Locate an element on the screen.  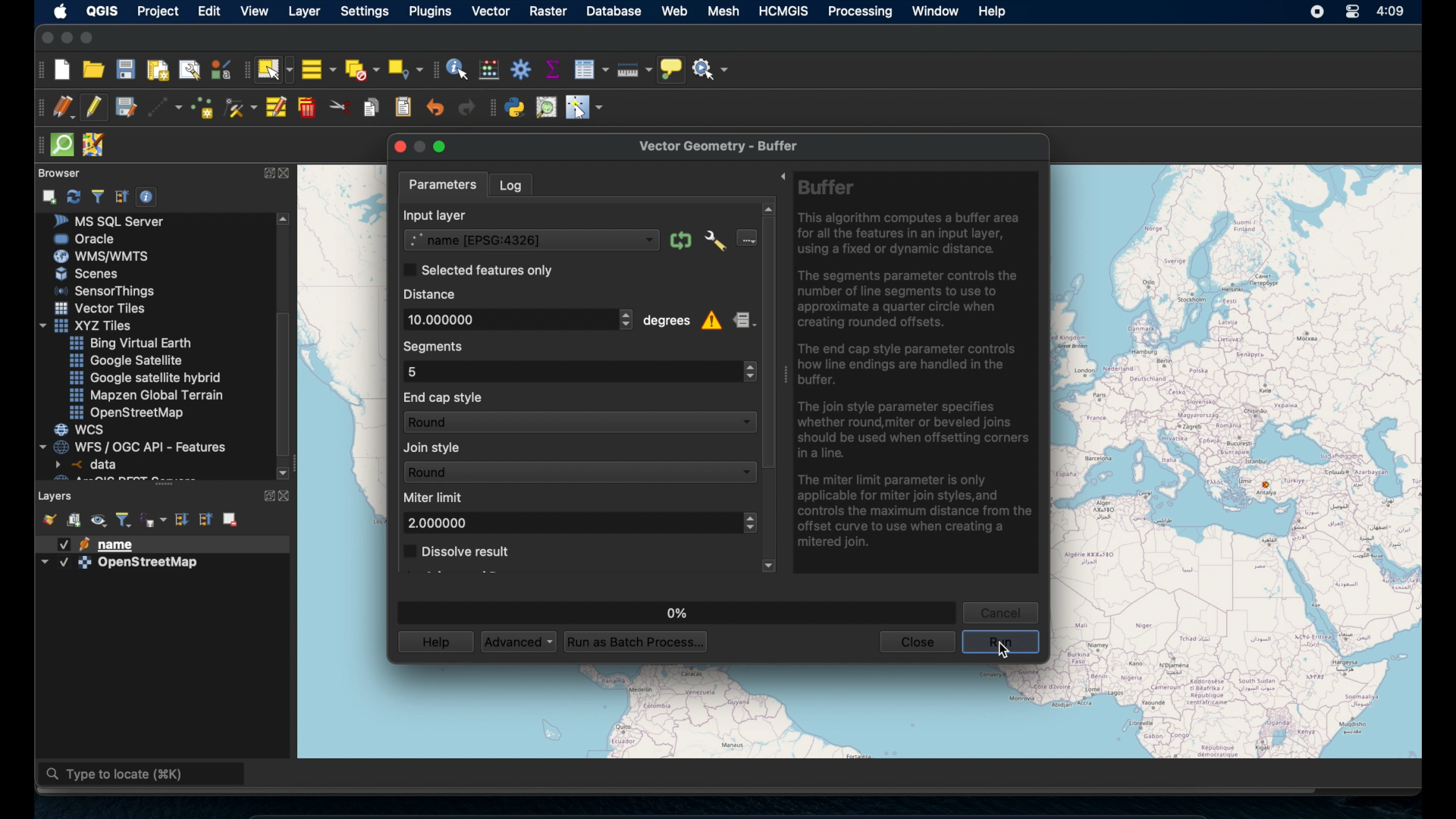
input layer dropdown is located at coordinates (530, 240).